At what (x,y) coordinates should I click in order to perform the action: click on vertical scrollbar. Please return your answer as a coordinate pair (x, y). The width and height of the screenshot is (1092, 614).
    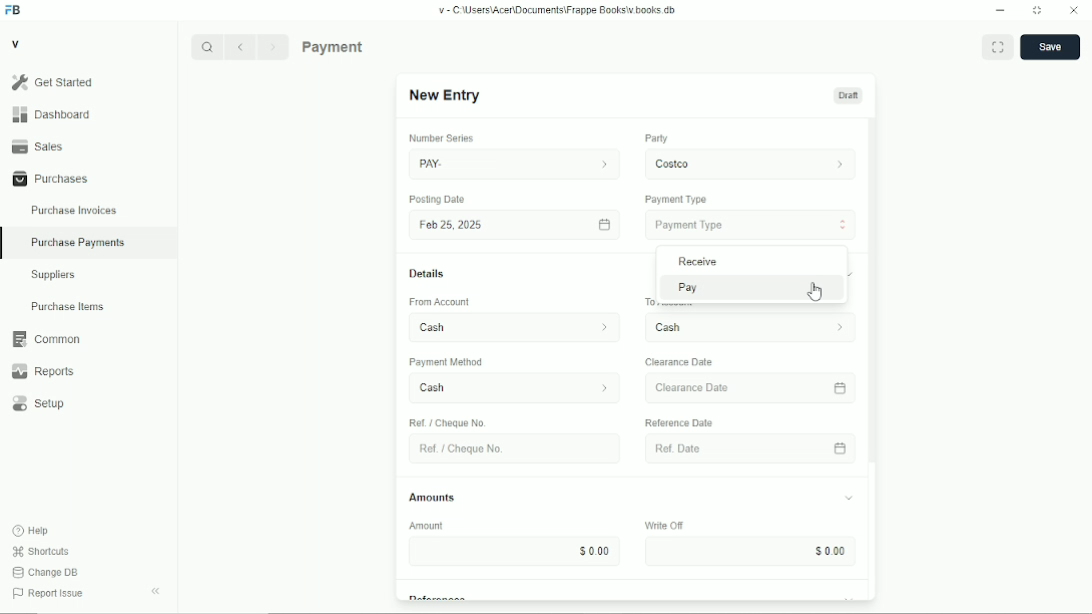
    Looking at the image, I should click on (871, 293).